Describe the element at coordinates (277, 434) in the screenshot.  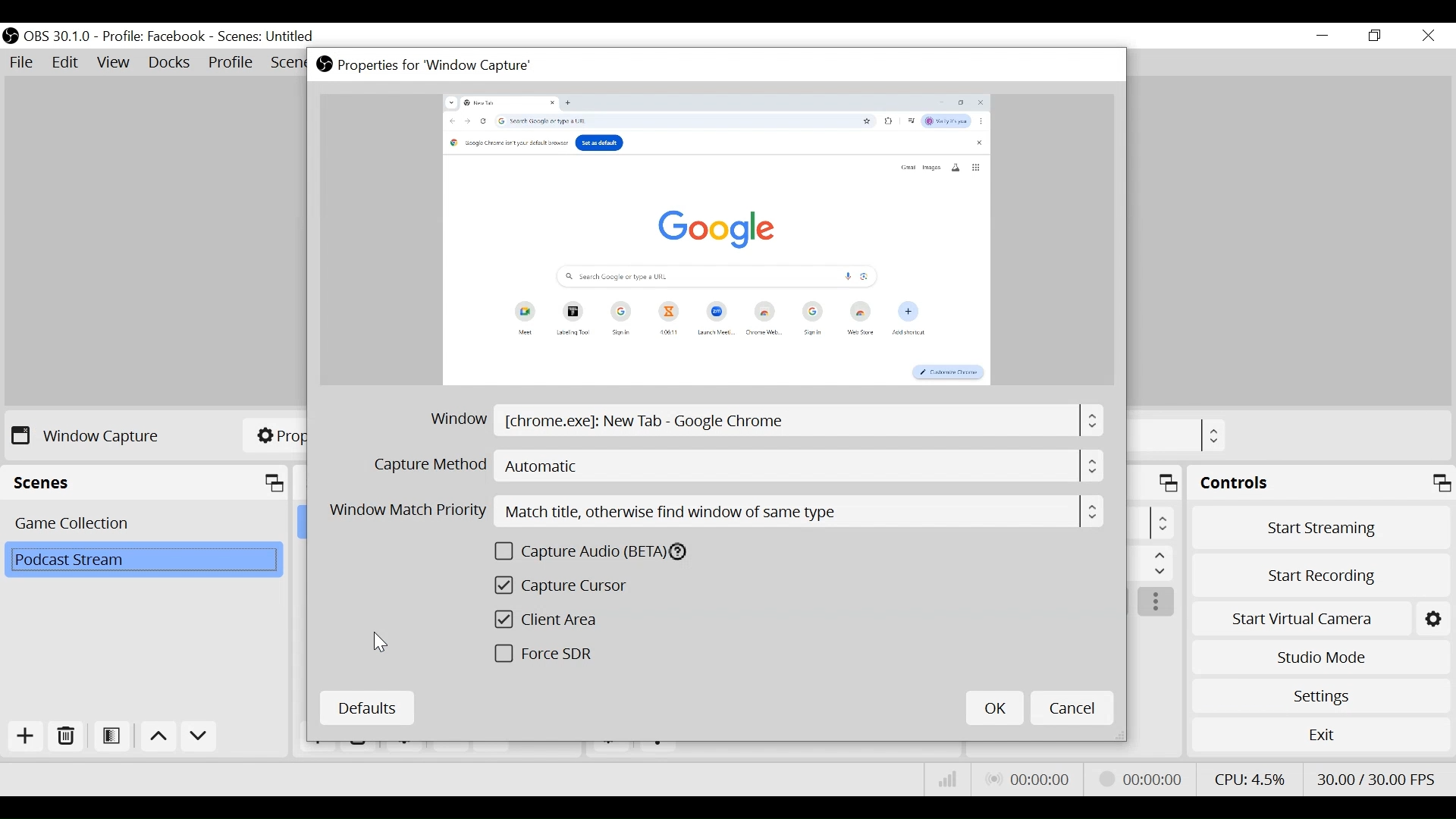
I see `Prop` at that location.